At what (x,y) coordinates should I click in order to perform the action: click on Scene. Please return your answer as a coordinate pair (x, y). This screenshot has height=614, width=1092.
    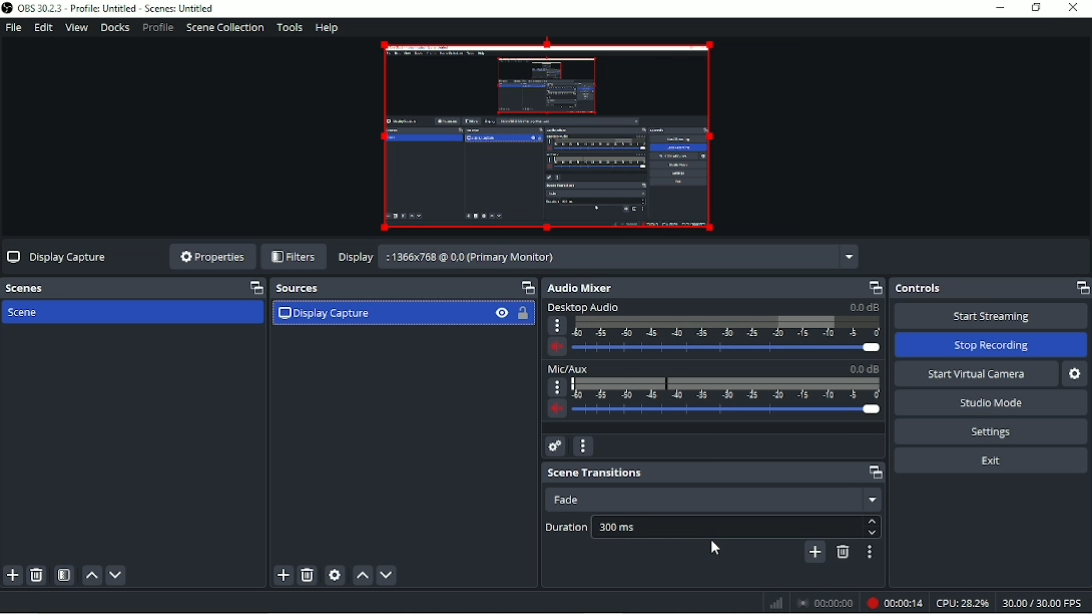
    Looking at the image, I should click on (104, 288).